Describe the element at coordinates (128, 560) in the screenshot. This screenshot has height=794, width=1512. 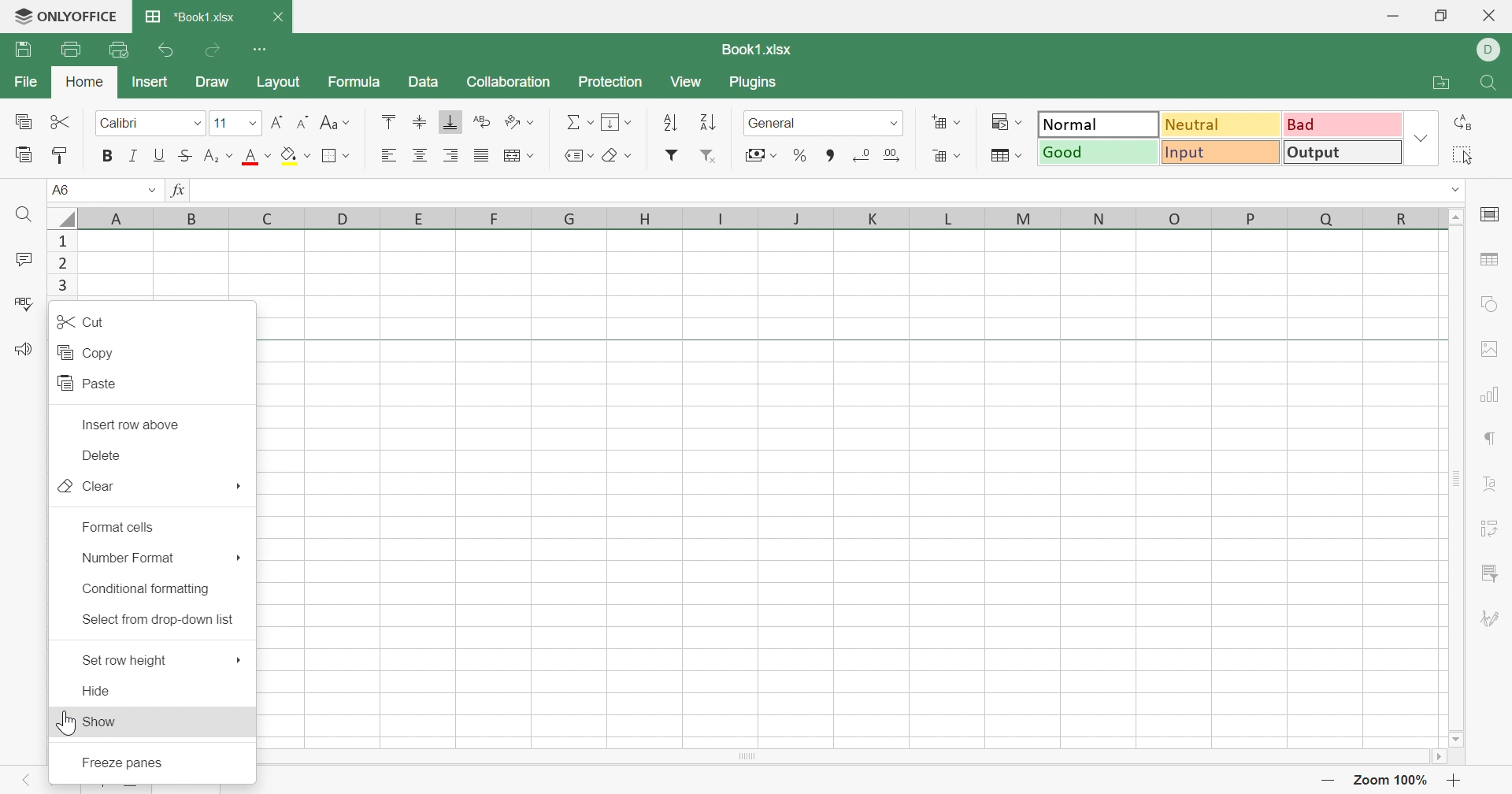
I see `Number format` at that location.